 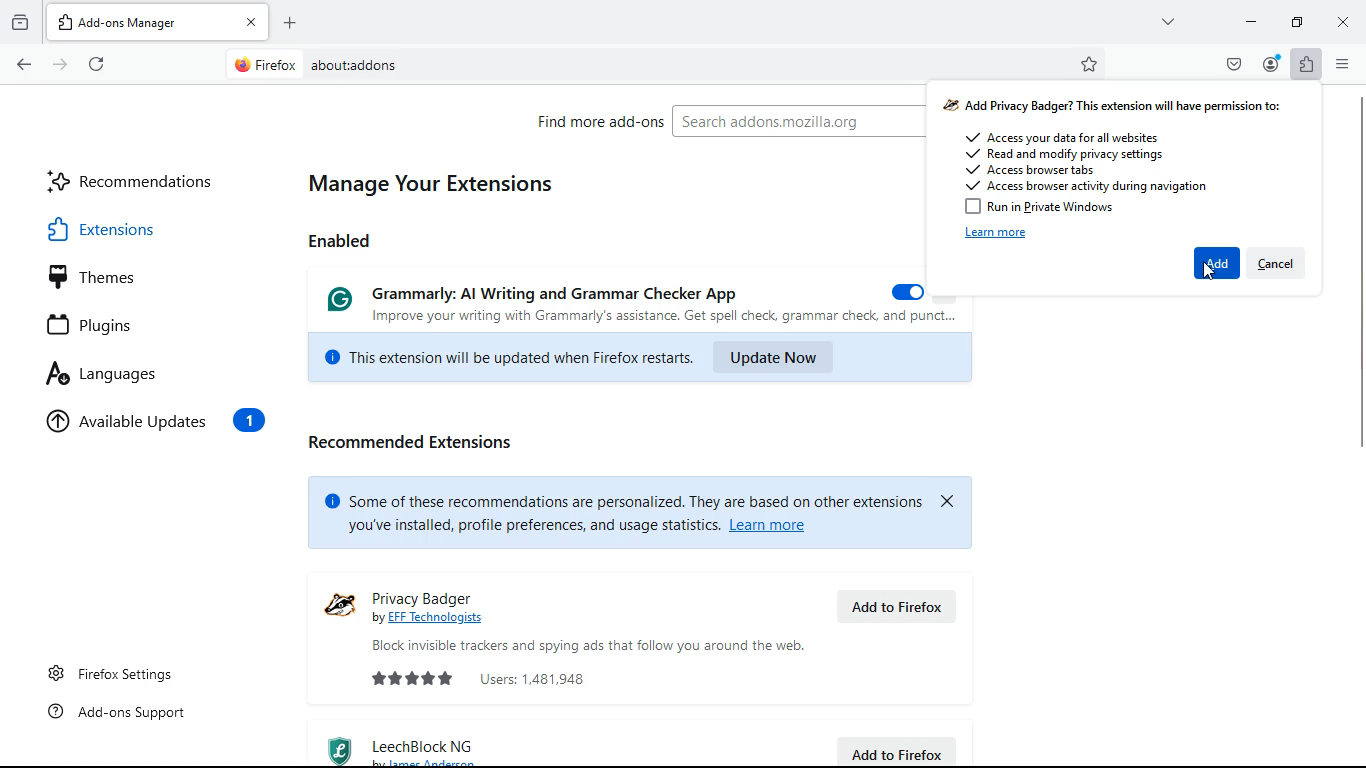 What do you see at coordinates (1357, 399) in the screenshot?
I see `scroll bar` at bounding box center [1357, 399].